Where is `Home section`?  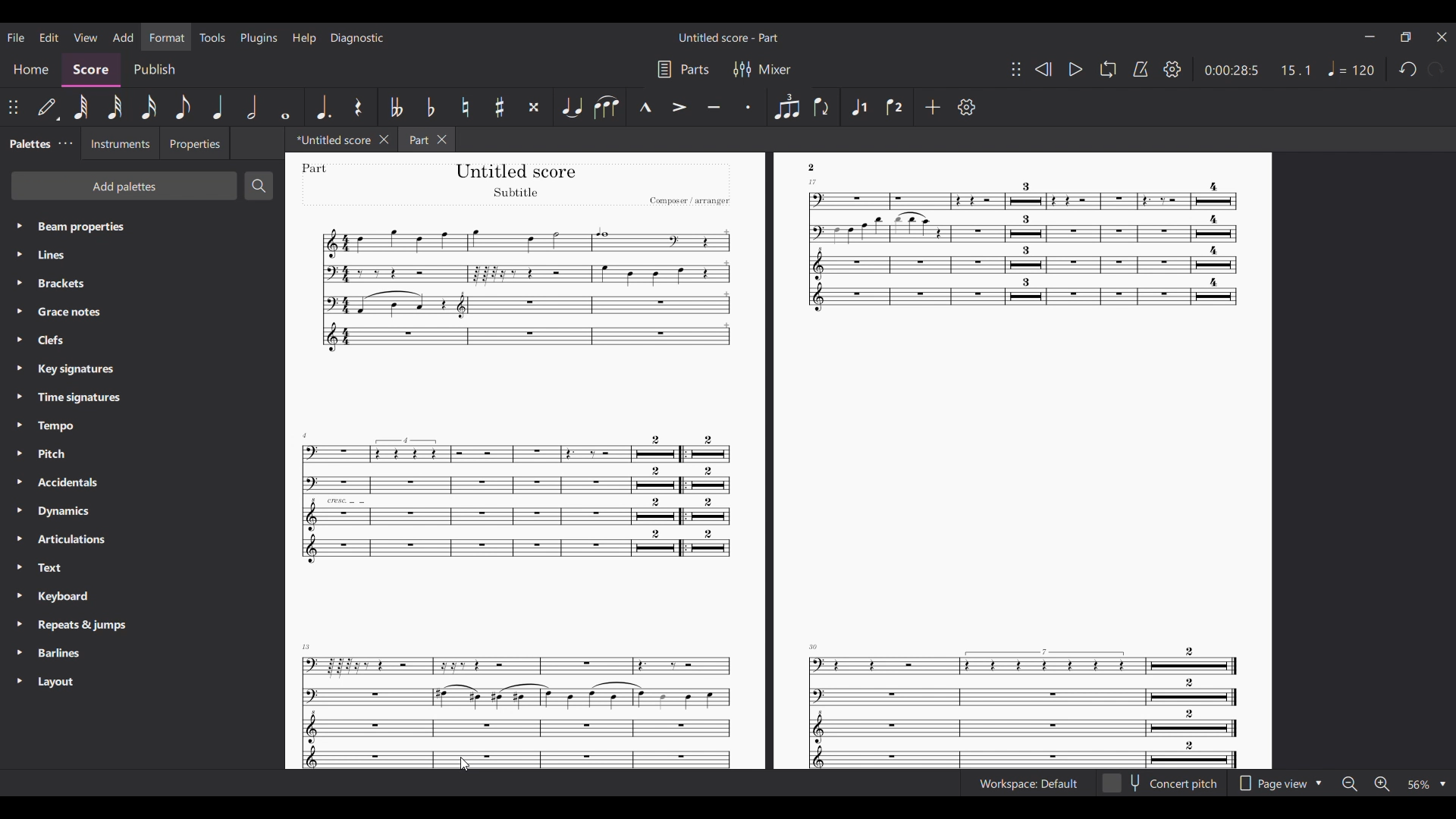
Home section is located at coordinates (30, 71).